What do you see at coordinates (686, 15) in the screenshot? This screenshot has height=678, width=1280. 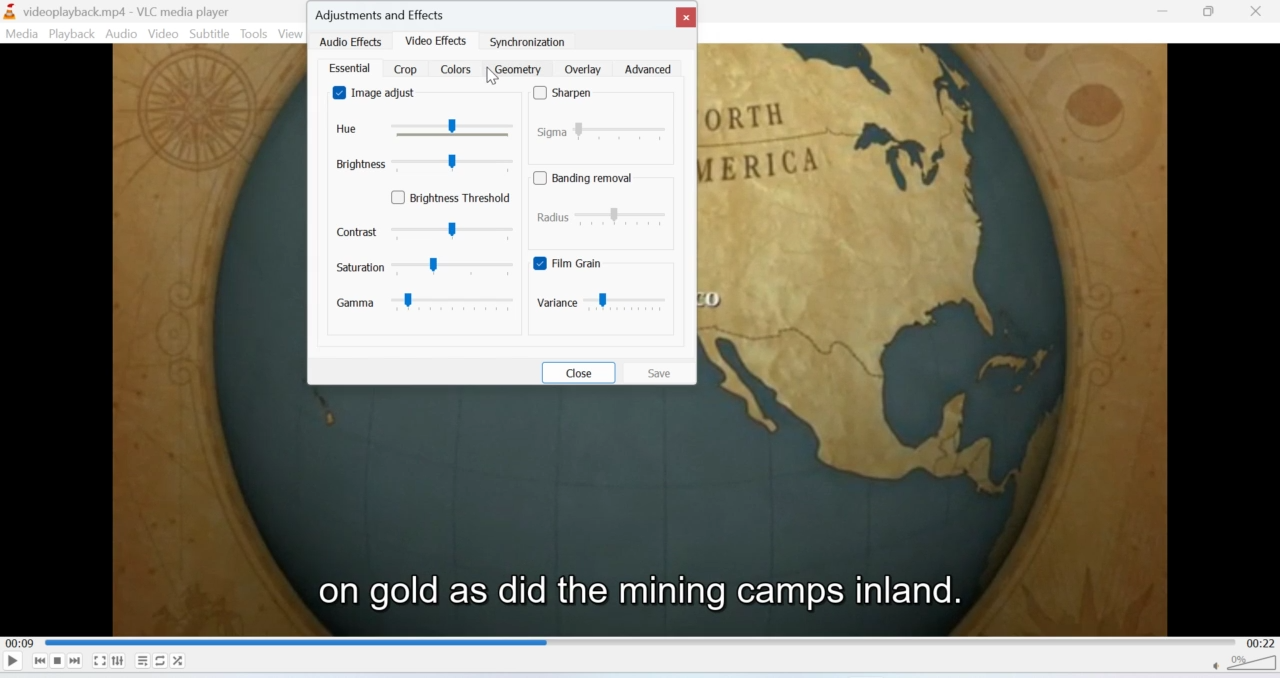 I see `close` at bounding box center [686, 15].